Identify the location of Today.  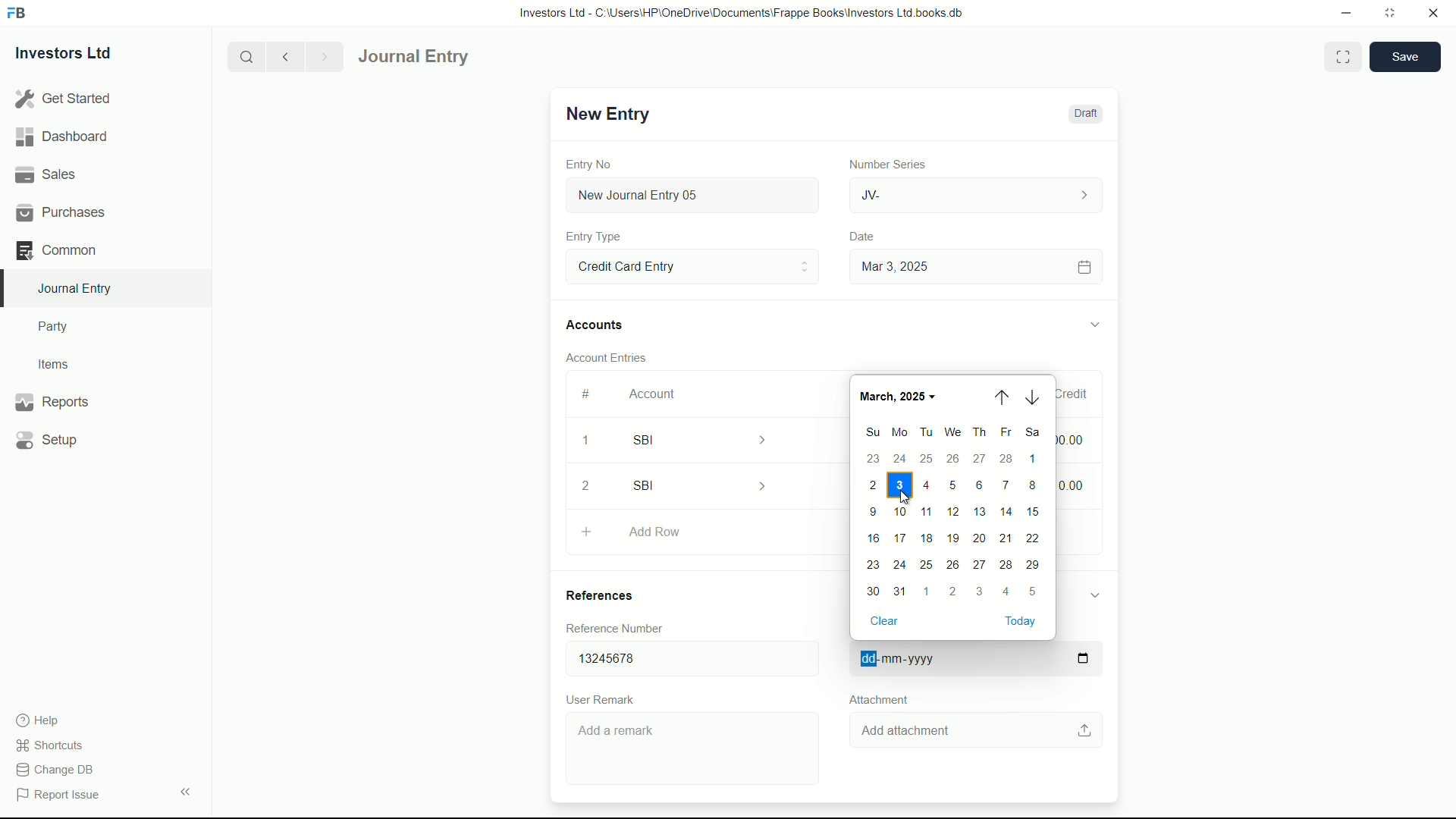
(1021, 622).